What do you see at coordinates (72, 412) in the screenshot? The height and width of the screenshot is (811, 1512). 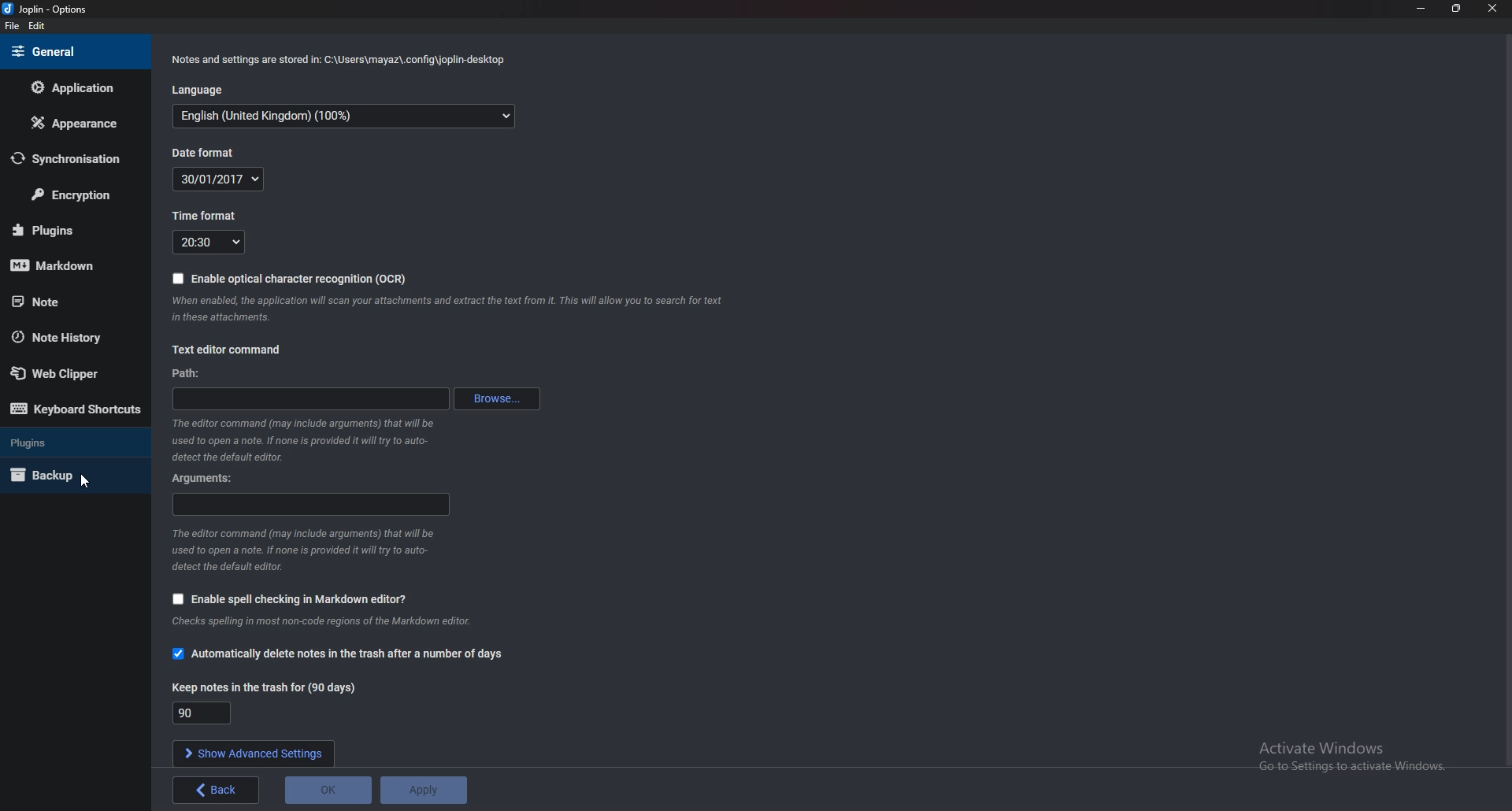 I see `Keyboard shortcuts` at bounding box center [72, 412].